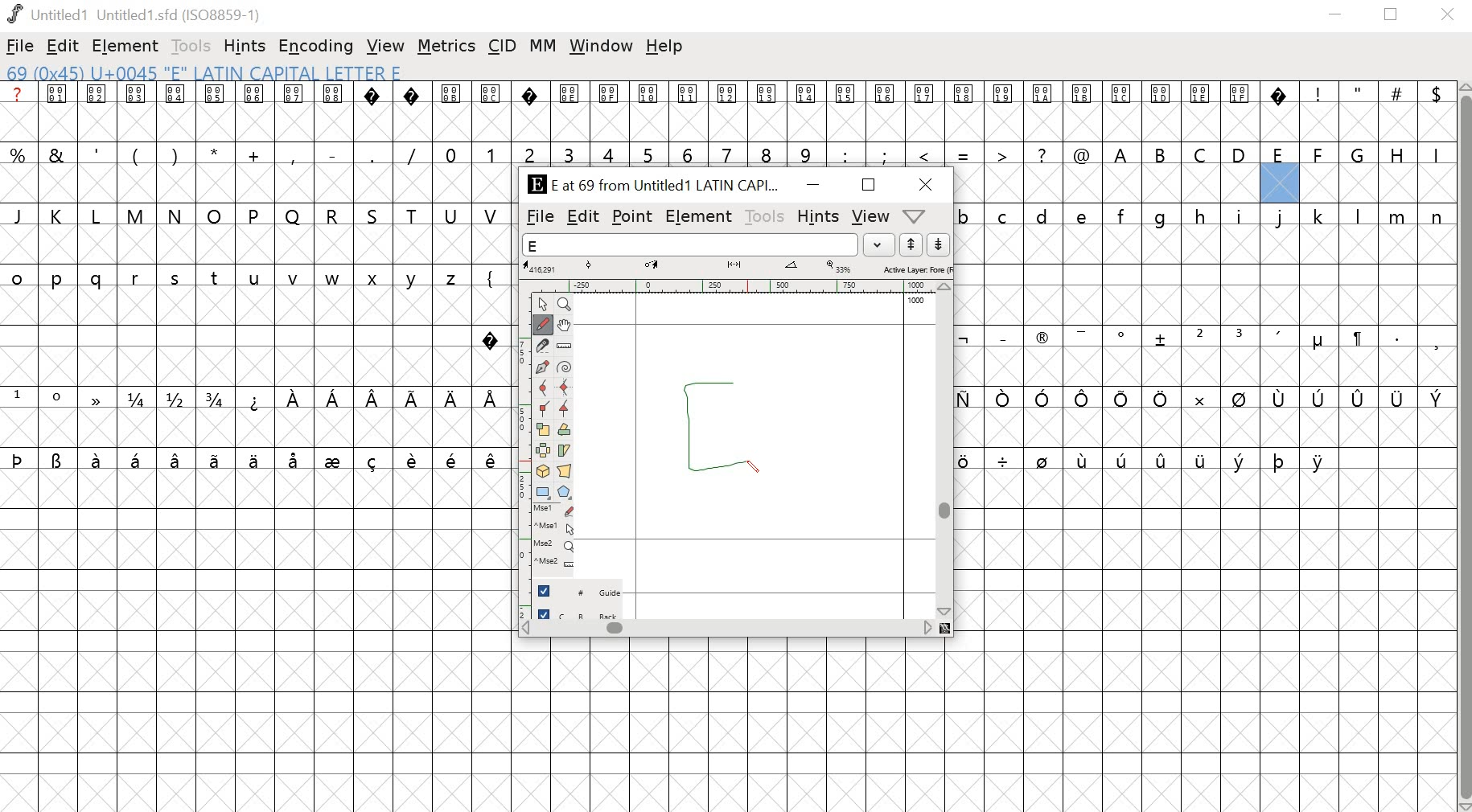 This screenshot has height=812, width=1472. I want to click on tools, so click(763, 215).